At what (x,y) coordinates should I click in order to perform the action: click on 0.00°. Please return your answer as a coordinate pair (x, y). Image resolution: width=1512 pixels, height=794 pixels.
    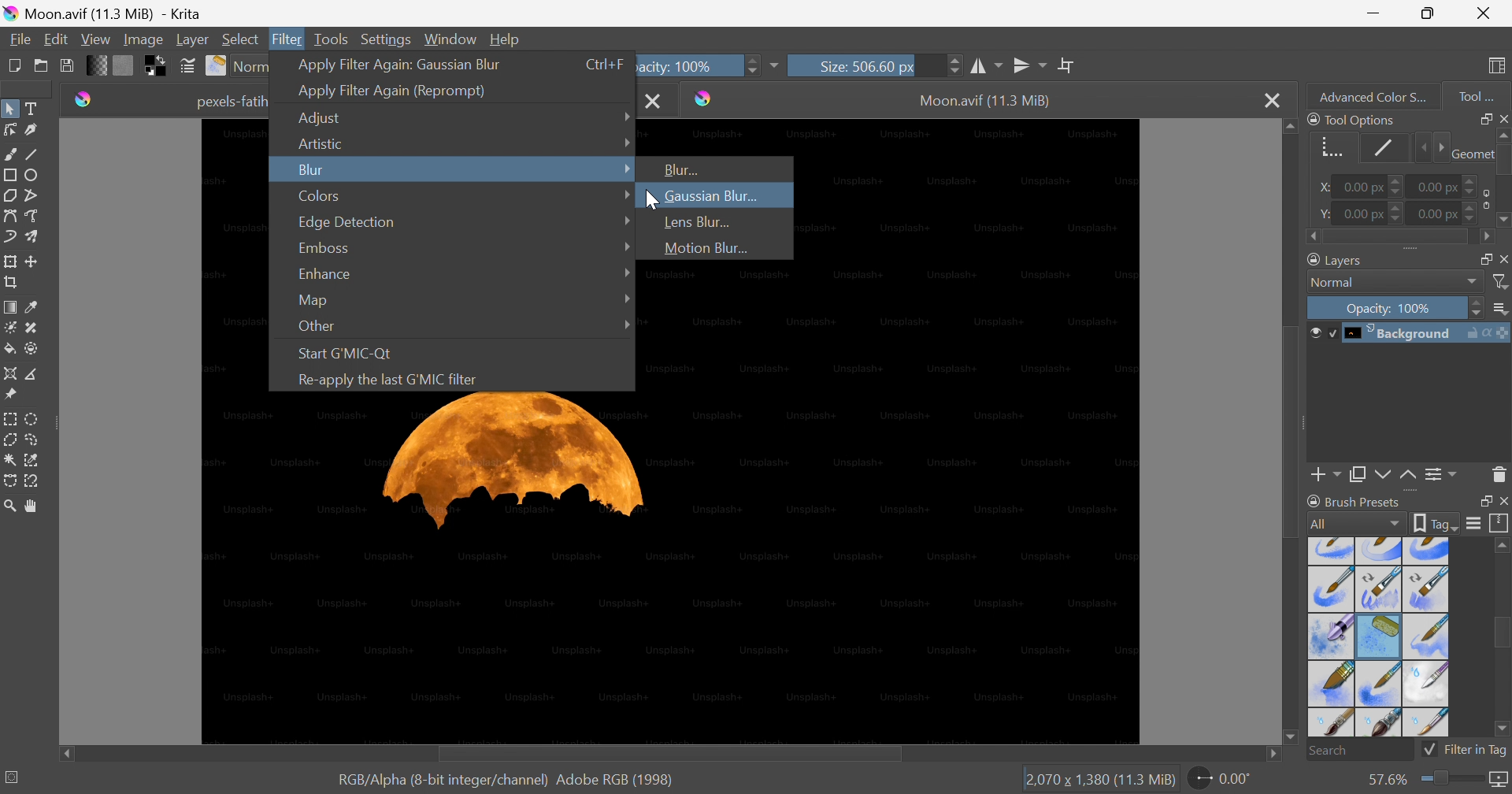
    Looking at the image, I should click on (1222, 777).